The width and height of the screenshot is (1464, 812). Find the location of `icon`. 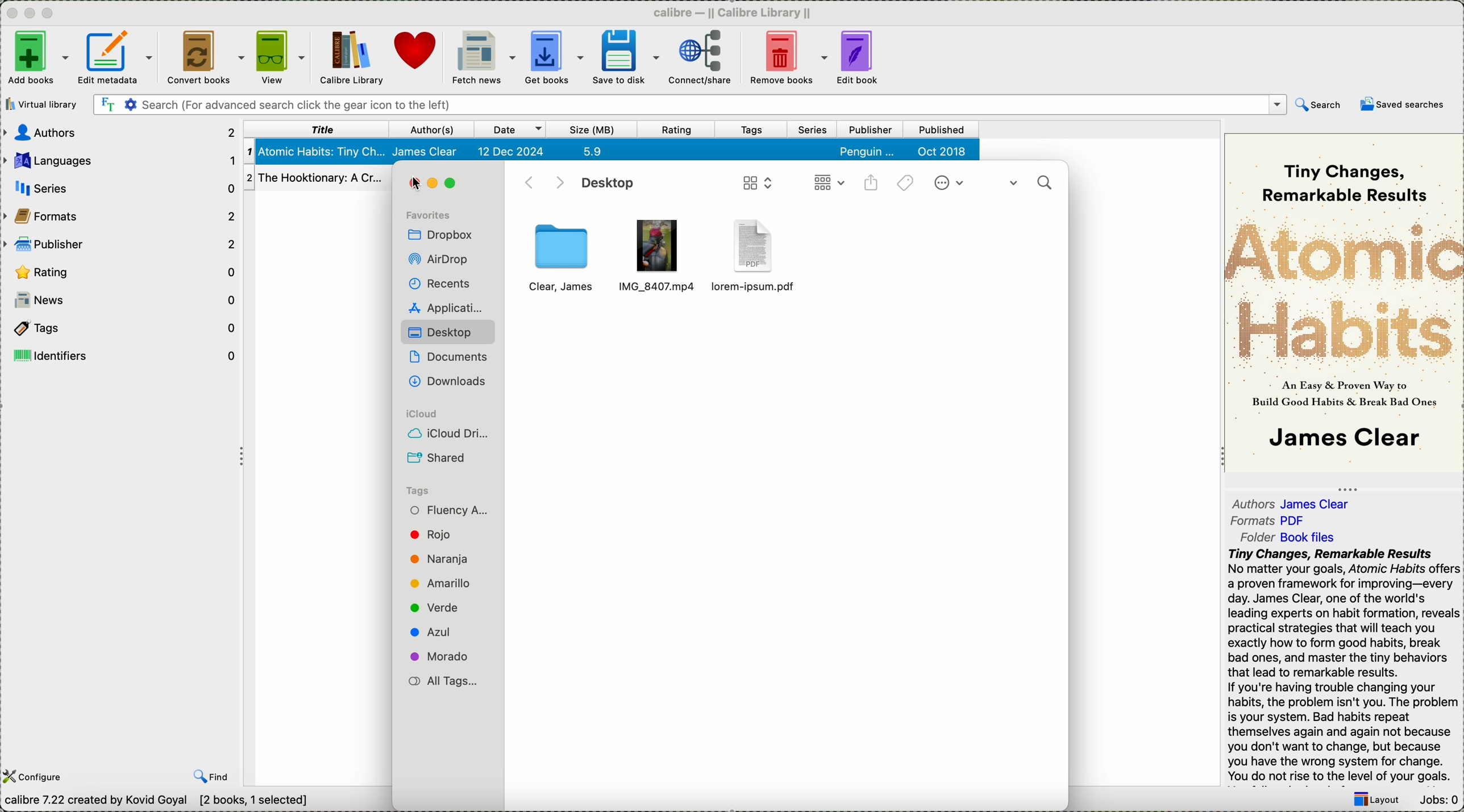

icon is located at coordinates (756, 183).